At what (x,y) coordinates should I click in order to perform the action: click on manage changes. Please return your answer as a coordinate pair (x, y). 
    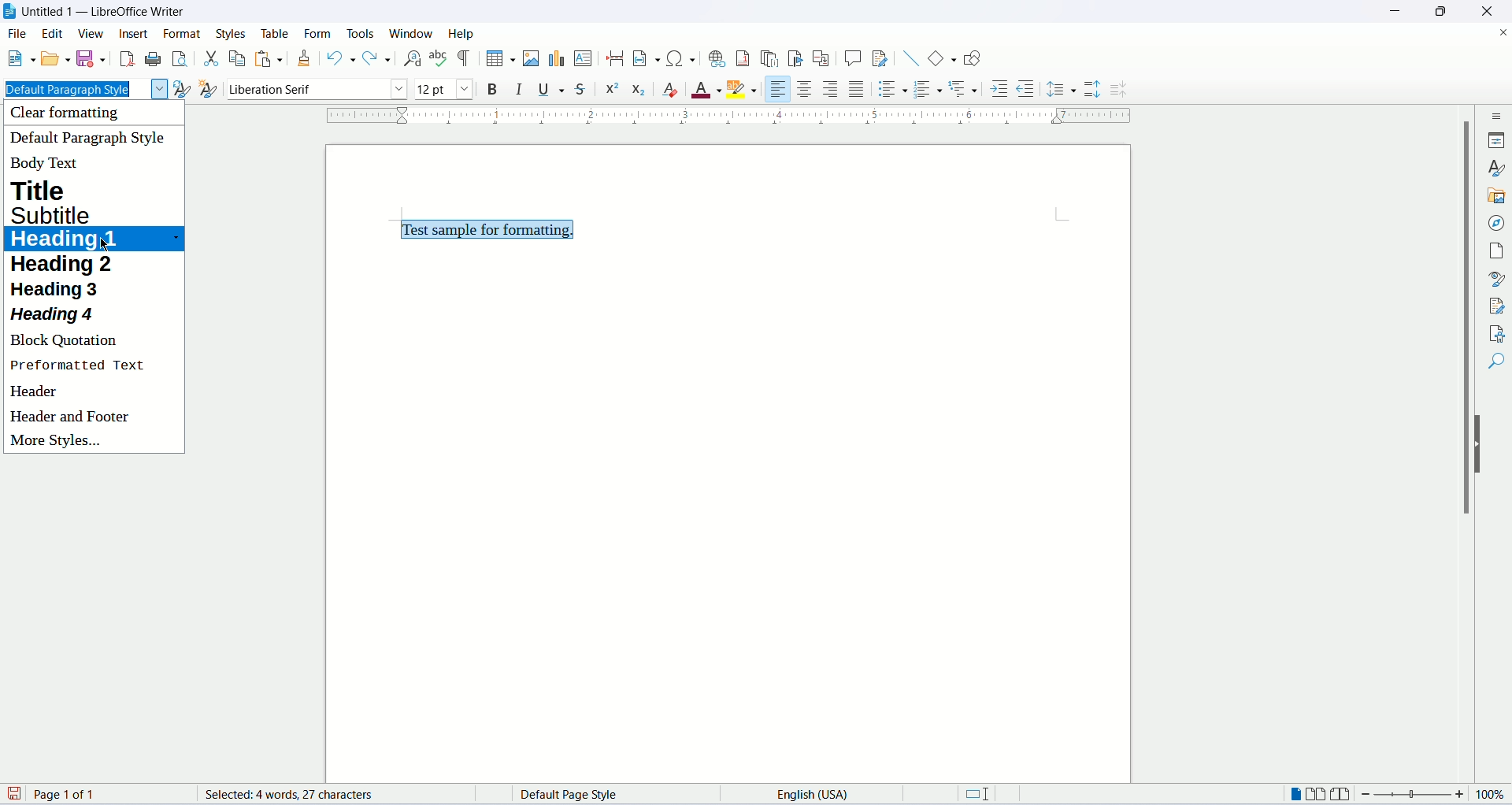
    Looking at the image, I should click on (1496, 306).